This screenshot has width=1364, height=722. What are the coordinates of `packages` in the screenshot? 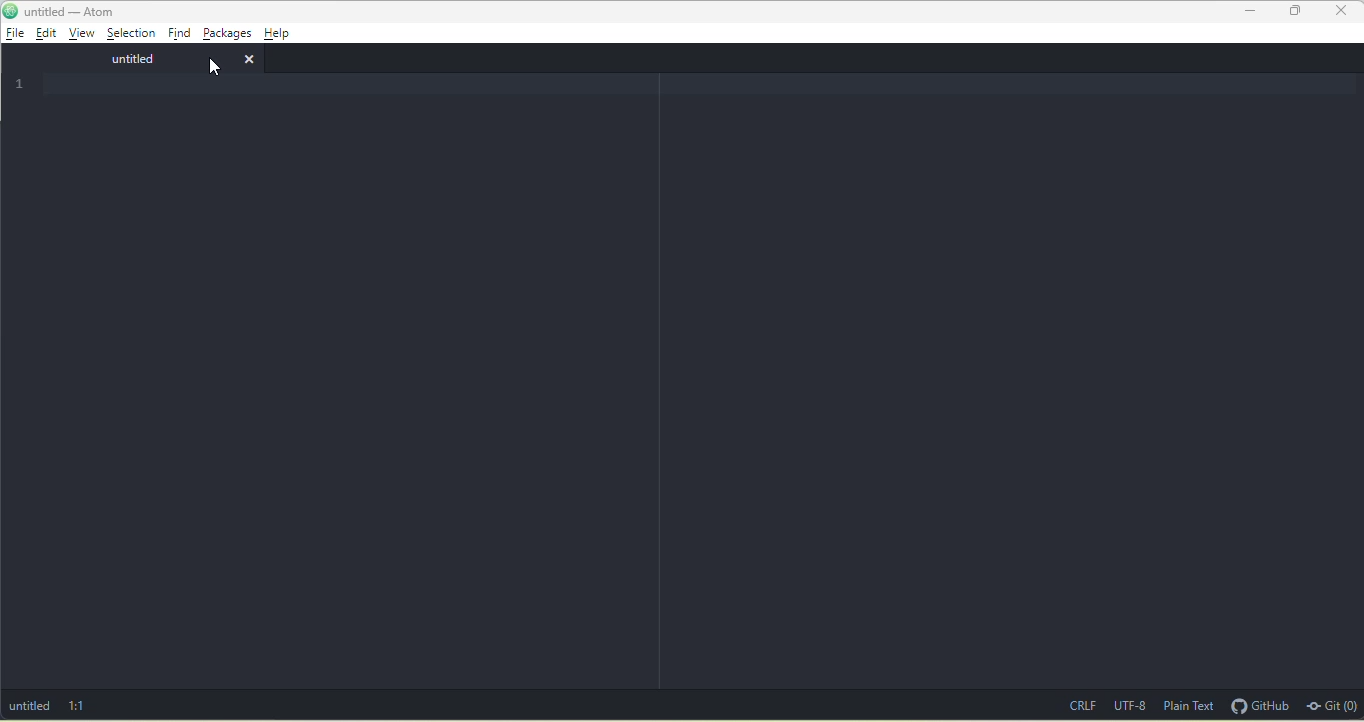 It's located at (227, 34).